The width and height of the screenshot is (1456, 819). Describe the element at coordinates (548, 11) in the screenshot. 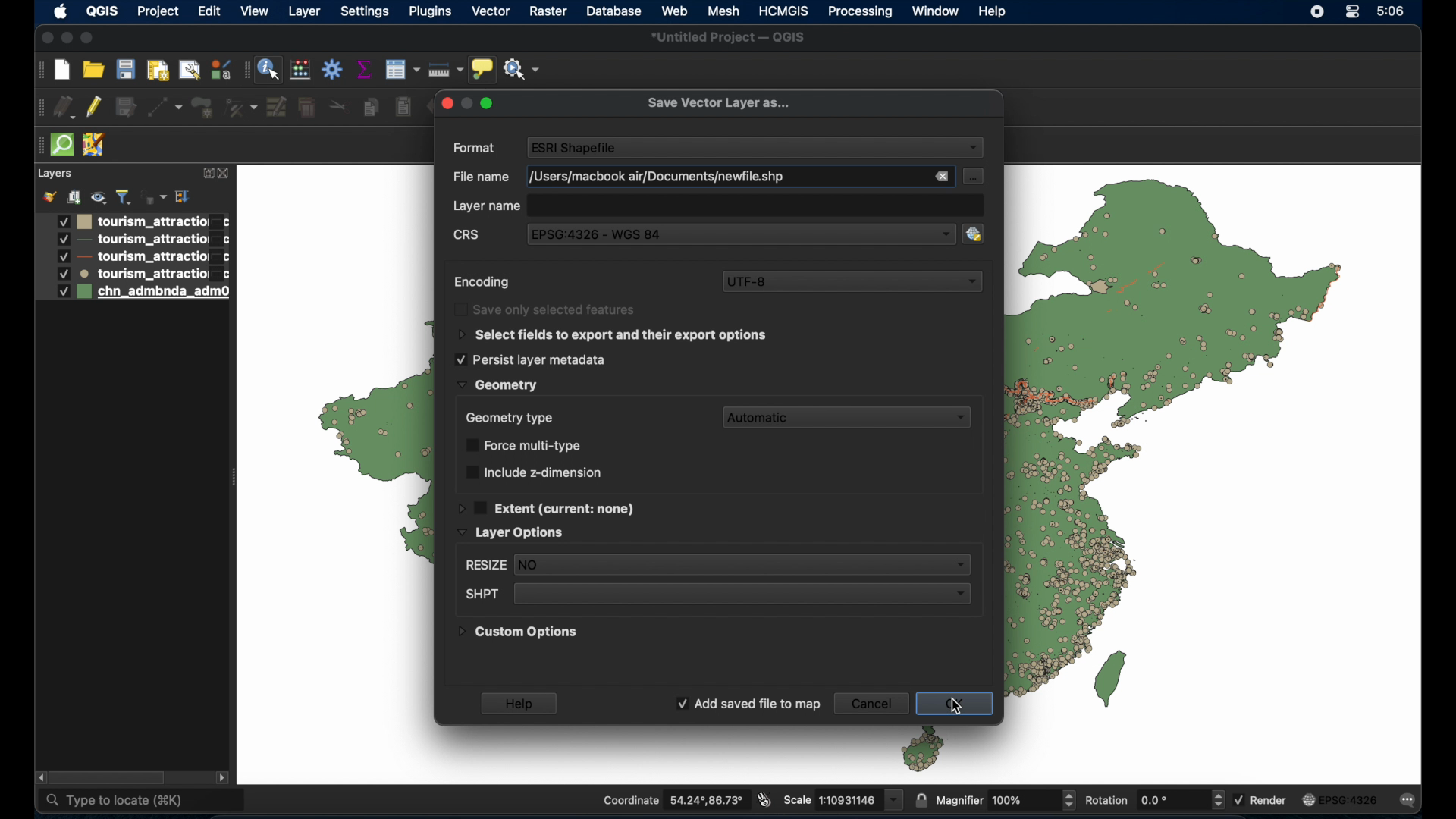

I see `raster` at that location.